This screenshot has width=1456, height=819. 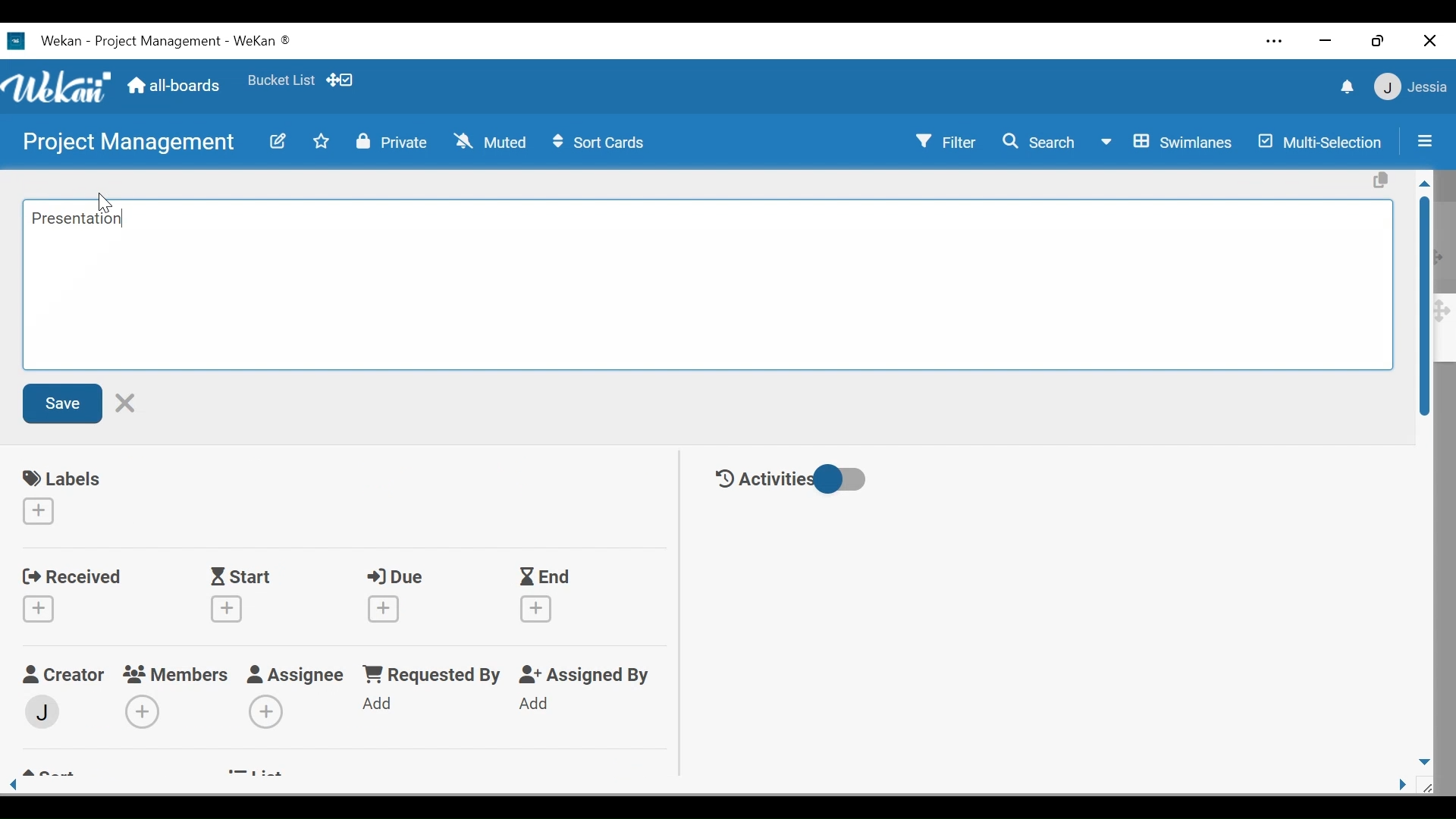 What do you see at coordinates (279, 142) in the screenshot?
I see `edit` at bounding box center [279, 142].